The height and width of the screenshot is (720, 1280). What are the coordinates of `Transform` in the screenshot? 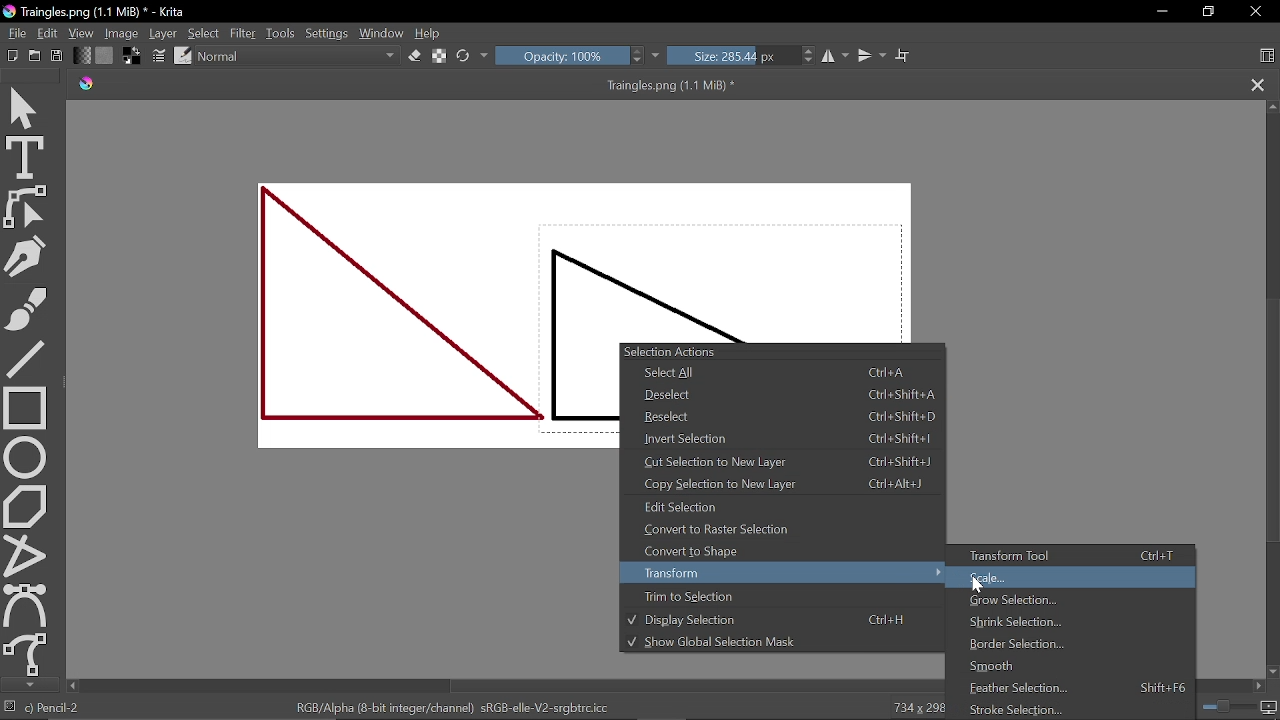 It's located at (785, 572).